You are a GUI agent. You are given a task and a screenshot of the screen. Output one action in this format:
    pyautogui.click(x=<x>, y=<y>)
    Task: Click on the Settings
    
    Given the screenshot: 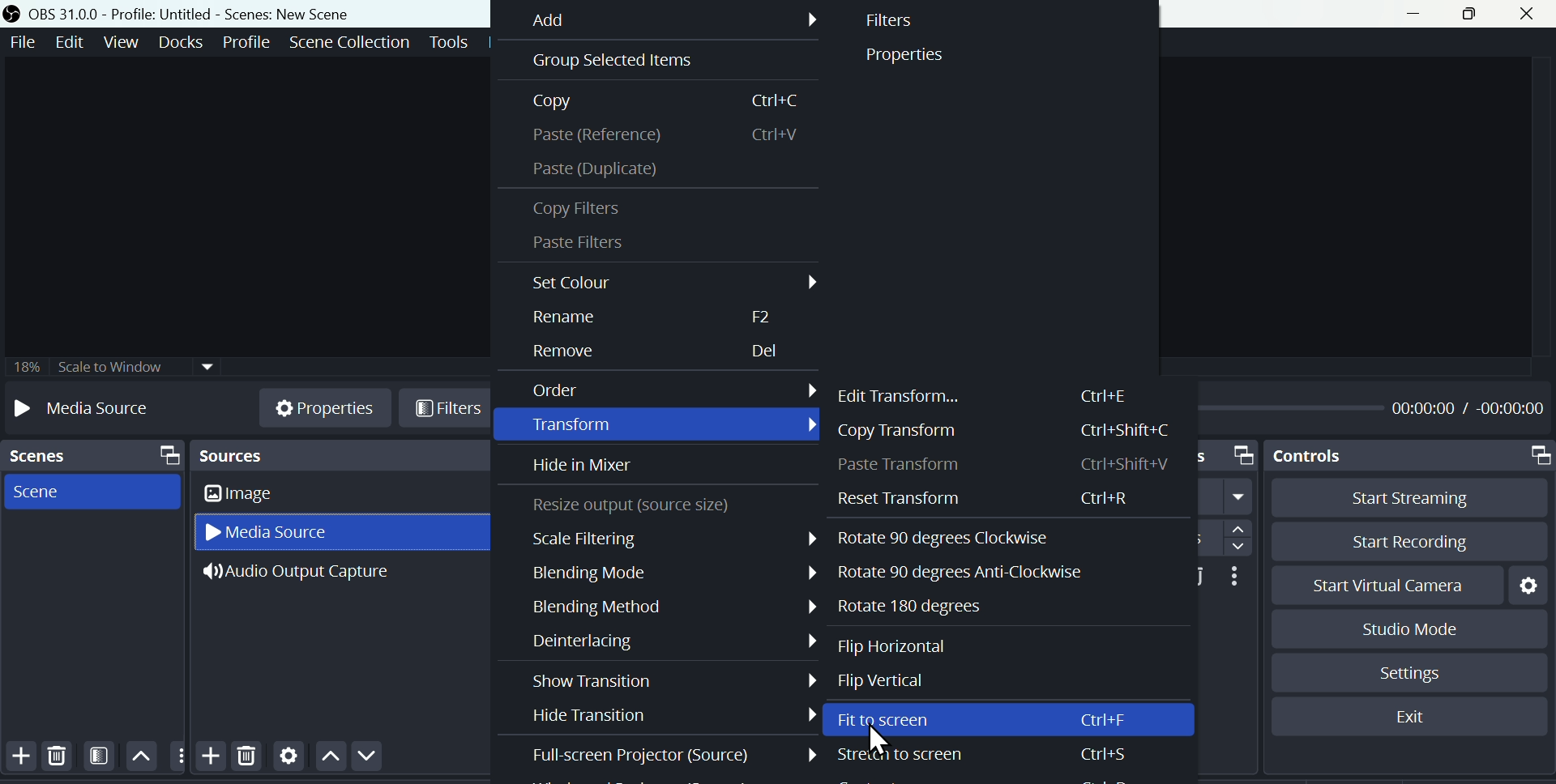 What is the action you would take?
    pyautogui.click(x=288, y=760)
    